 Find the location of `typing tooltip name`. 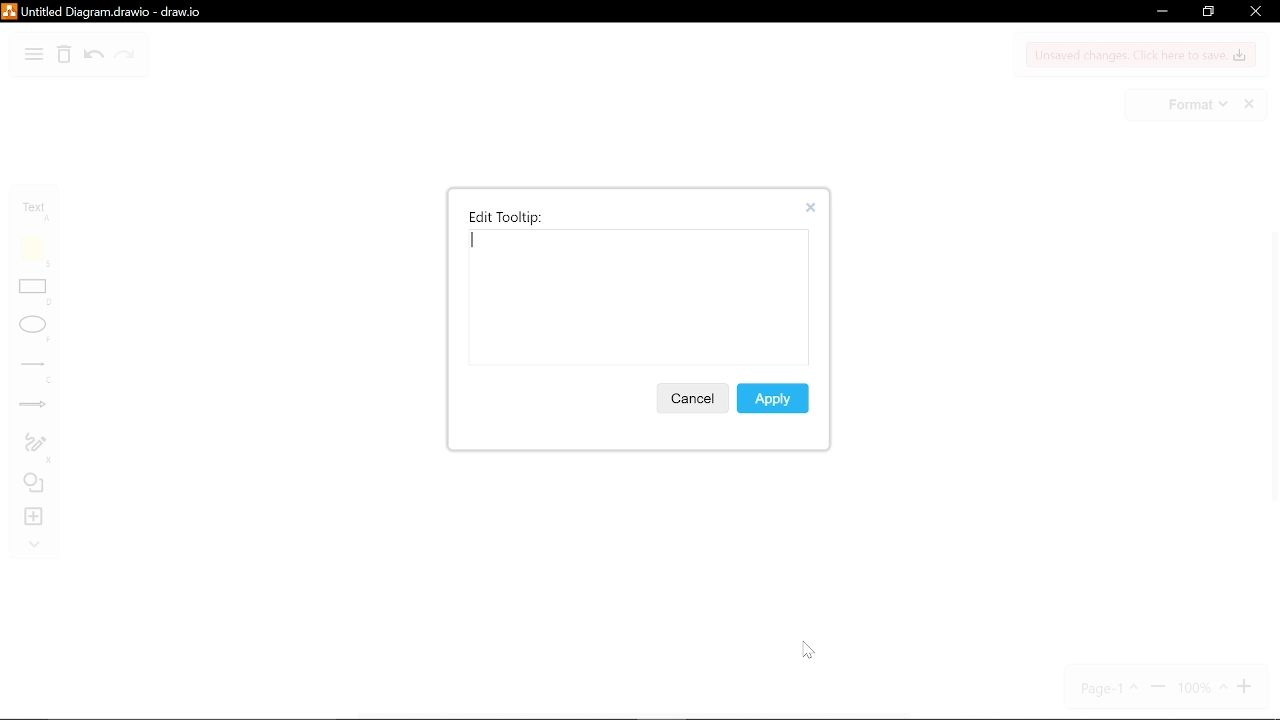

typing tooltip name is located at coordinates (634, 301).